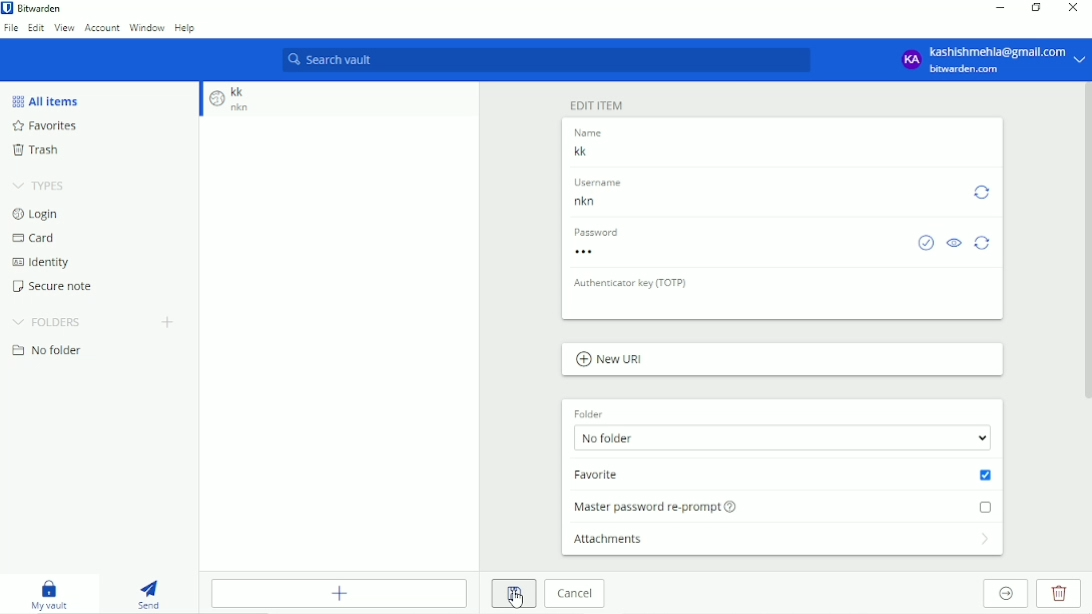 The height and width of the screenshot is (614, 1092). Describe the element at coordinates (1004, 593) in the screenshot. I see `Move to organization` at that location.